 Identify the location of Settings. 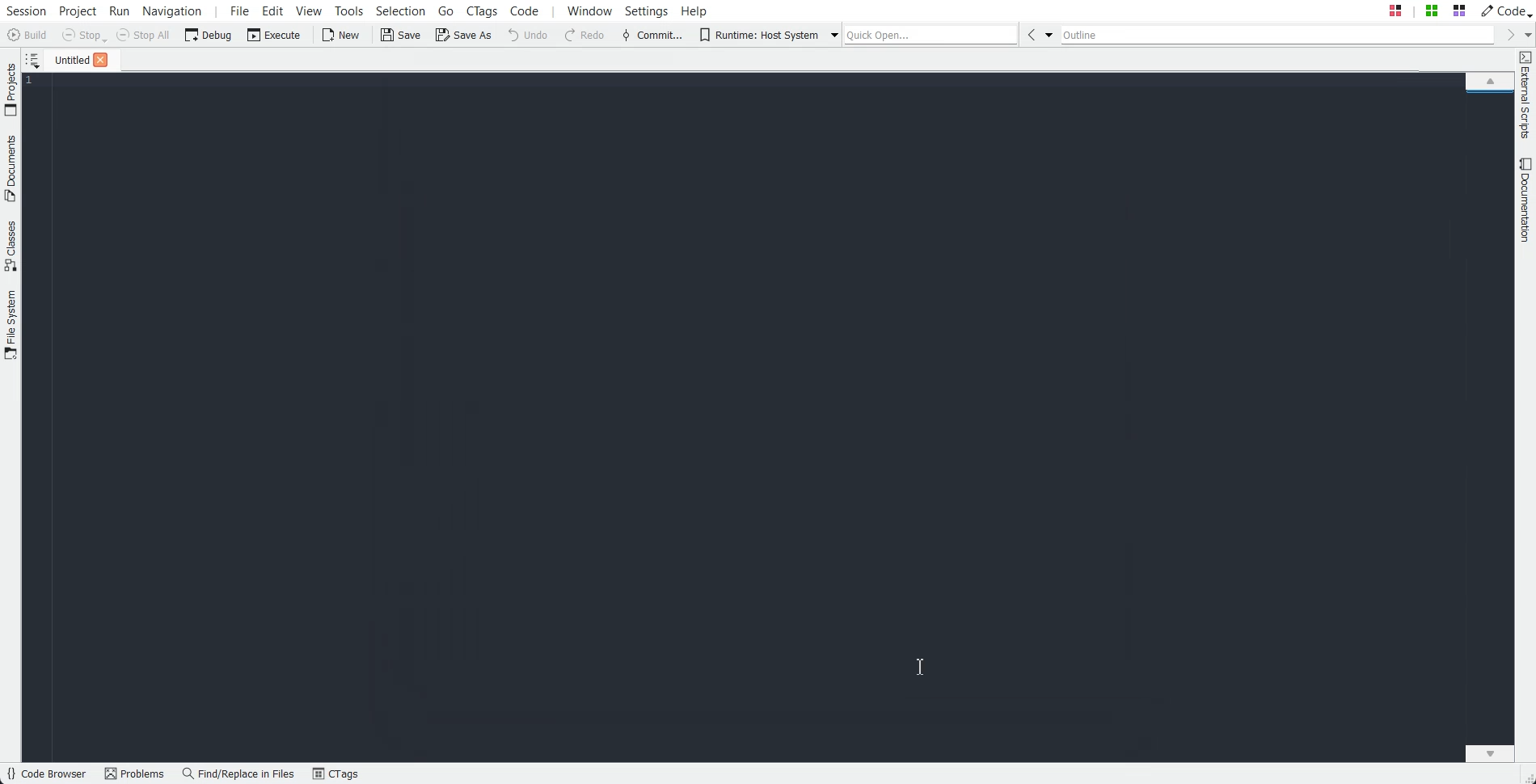
(650, 11).